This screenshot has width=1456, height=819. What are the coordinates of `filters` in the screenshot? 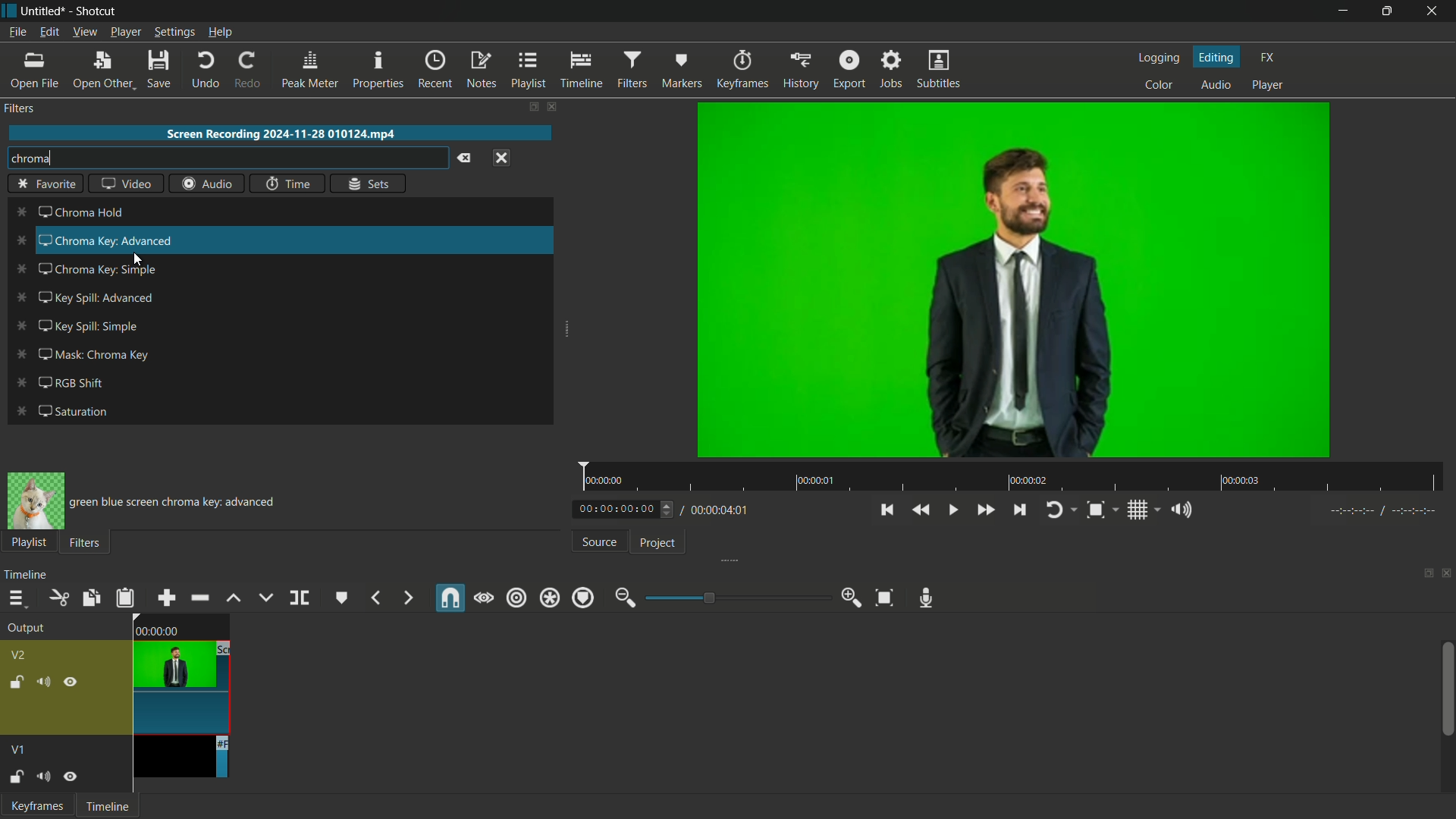 It's located at (22, 111).